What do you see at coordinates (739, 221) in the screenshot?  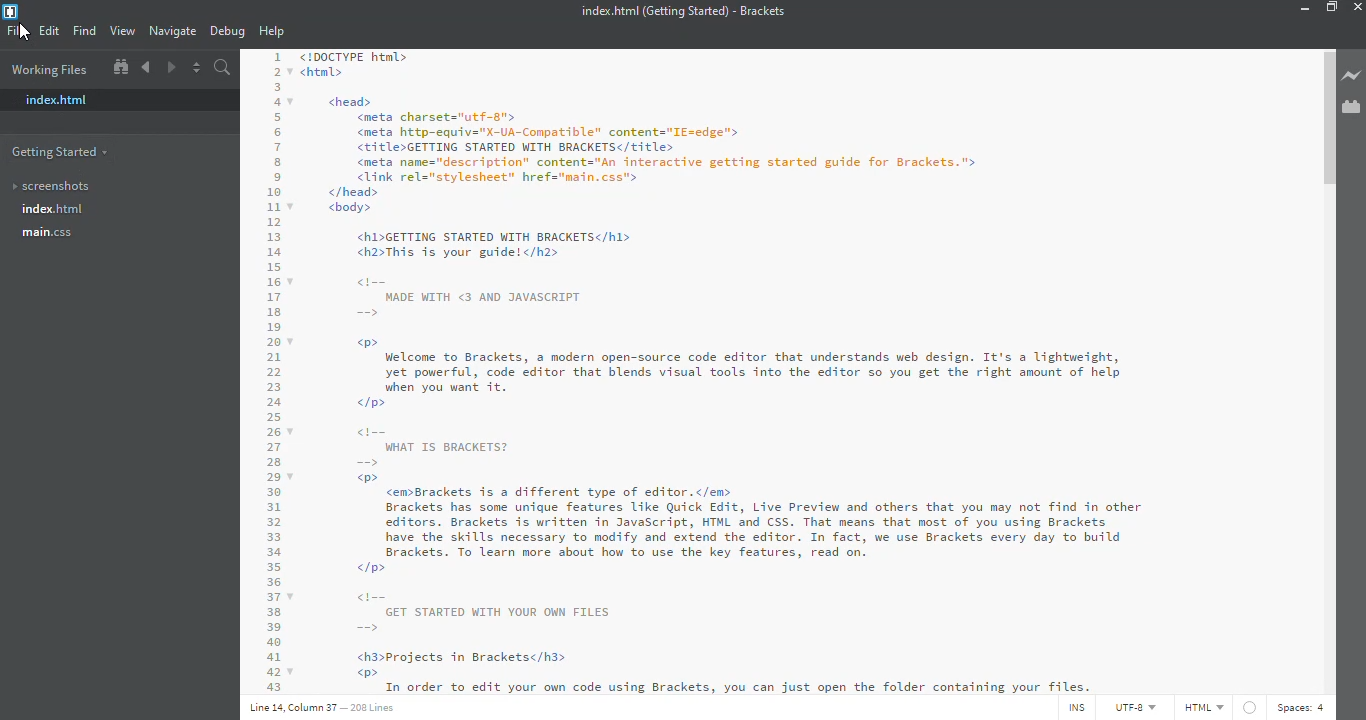 I see `<!DOCTYPE html>
<htal>
<head>
<meta charsets"utf-g">
<meta http-equiv="X-UA-Conpatible" content="IE=edge">
<title>GETTING STARTED WITH BRACKETS</title>
<meta name="description” content="An interactive getting started guide for Brackets.">
<link rel="stylesheet" href="nain.css">
</head>
<body>
<h1>GETTING STARTED WITH BRACKETS</hl>
<h2>This is your guide!</h2>
MADE WITH <3 AND JAVASCRIPT
>
Welcome to Brackets, a modern open-source code editor that understands web design. It's a lightweight,
yet powerful, code editor that blends visual tools into the editor so you get the right amount of help
hen A Sa` at bounding box center [739, 221].